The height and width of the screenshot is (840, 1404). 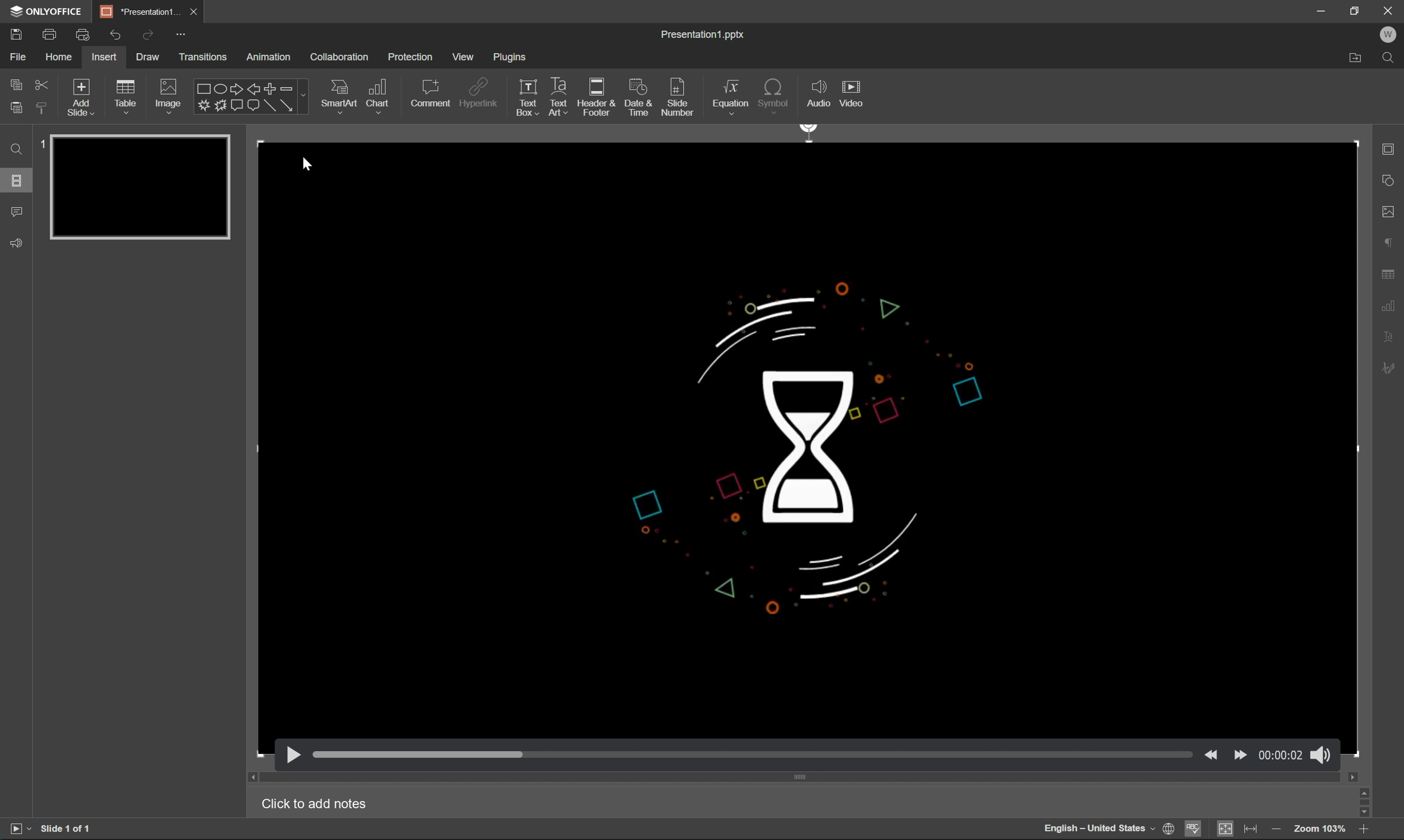 I want to click on scroll bar, so click(x=805, y=778).